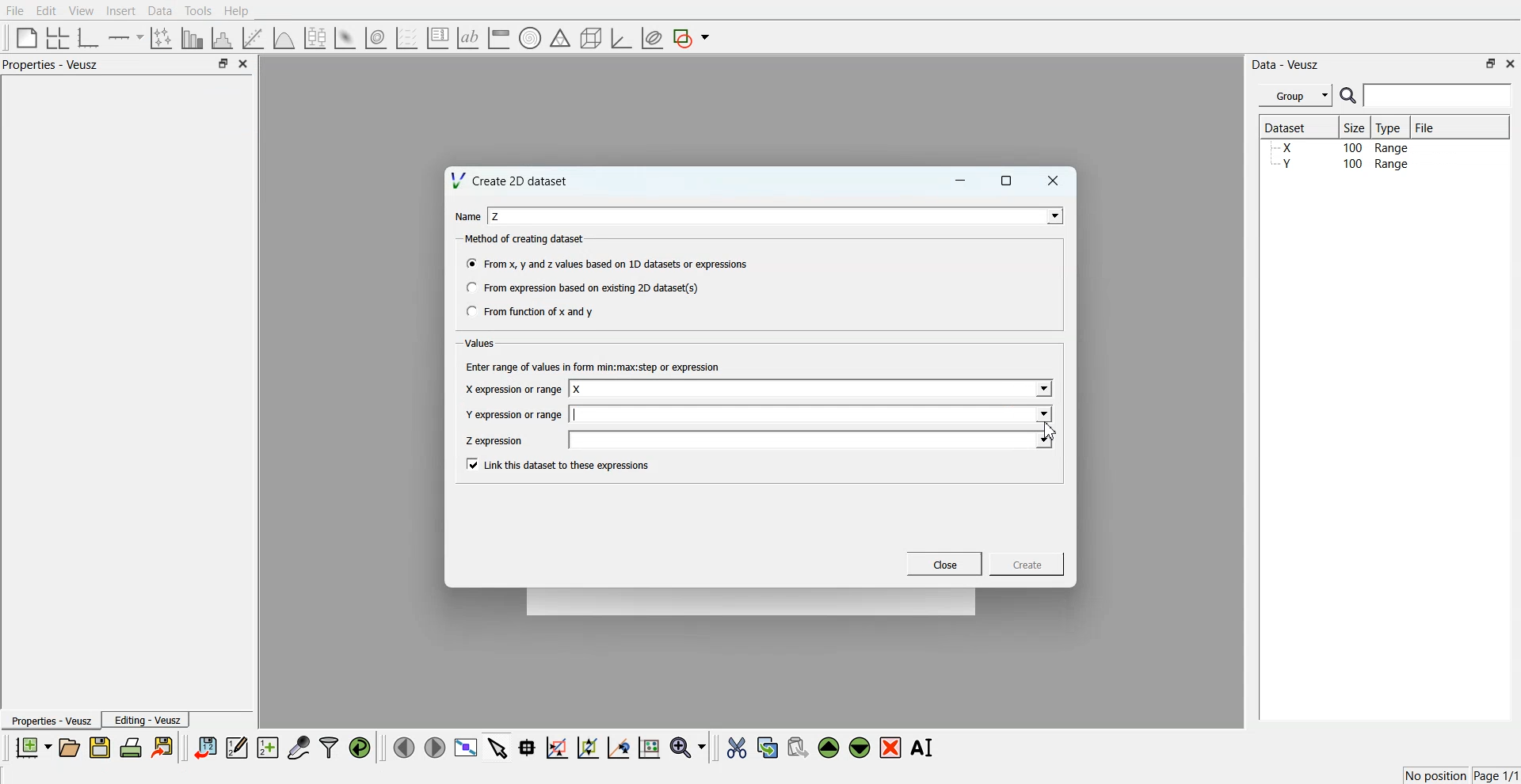  Describe the element at coordinates (812, 390) in the screenshot. I see `Enter name` at that location.